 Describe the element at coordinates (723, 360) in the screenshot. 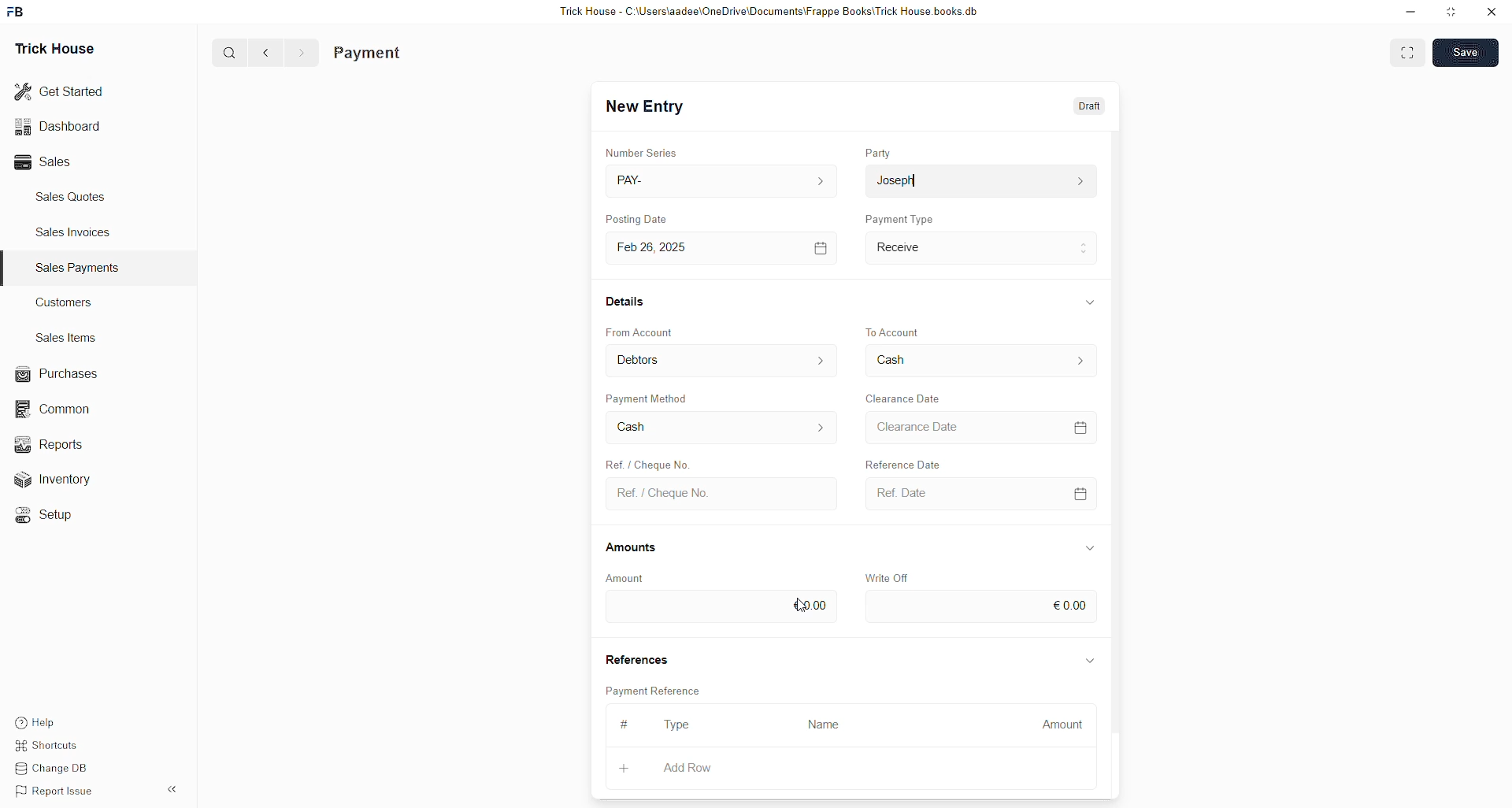

I see `From Account` at that location.